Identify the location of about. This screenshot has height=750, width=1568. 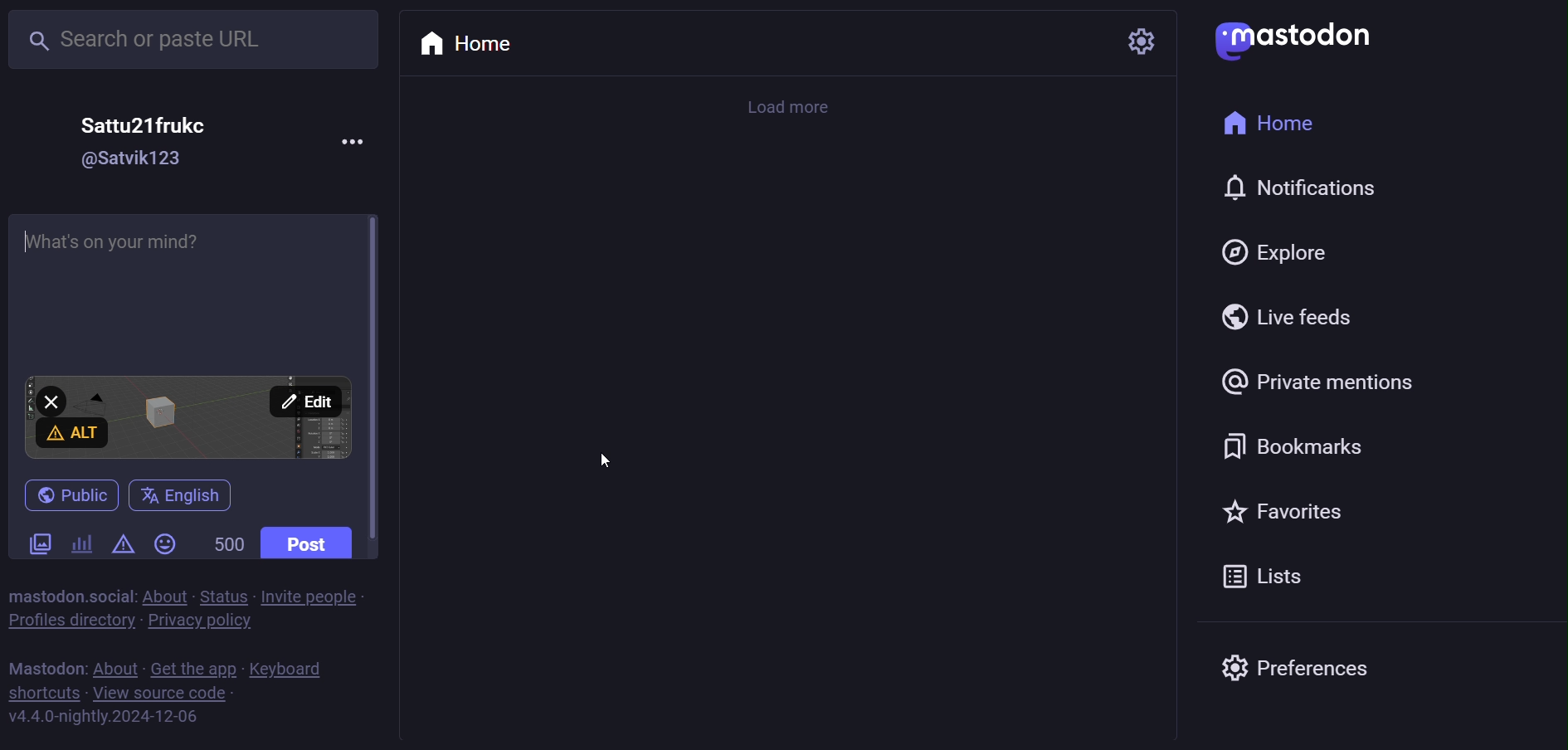
(116, 670).